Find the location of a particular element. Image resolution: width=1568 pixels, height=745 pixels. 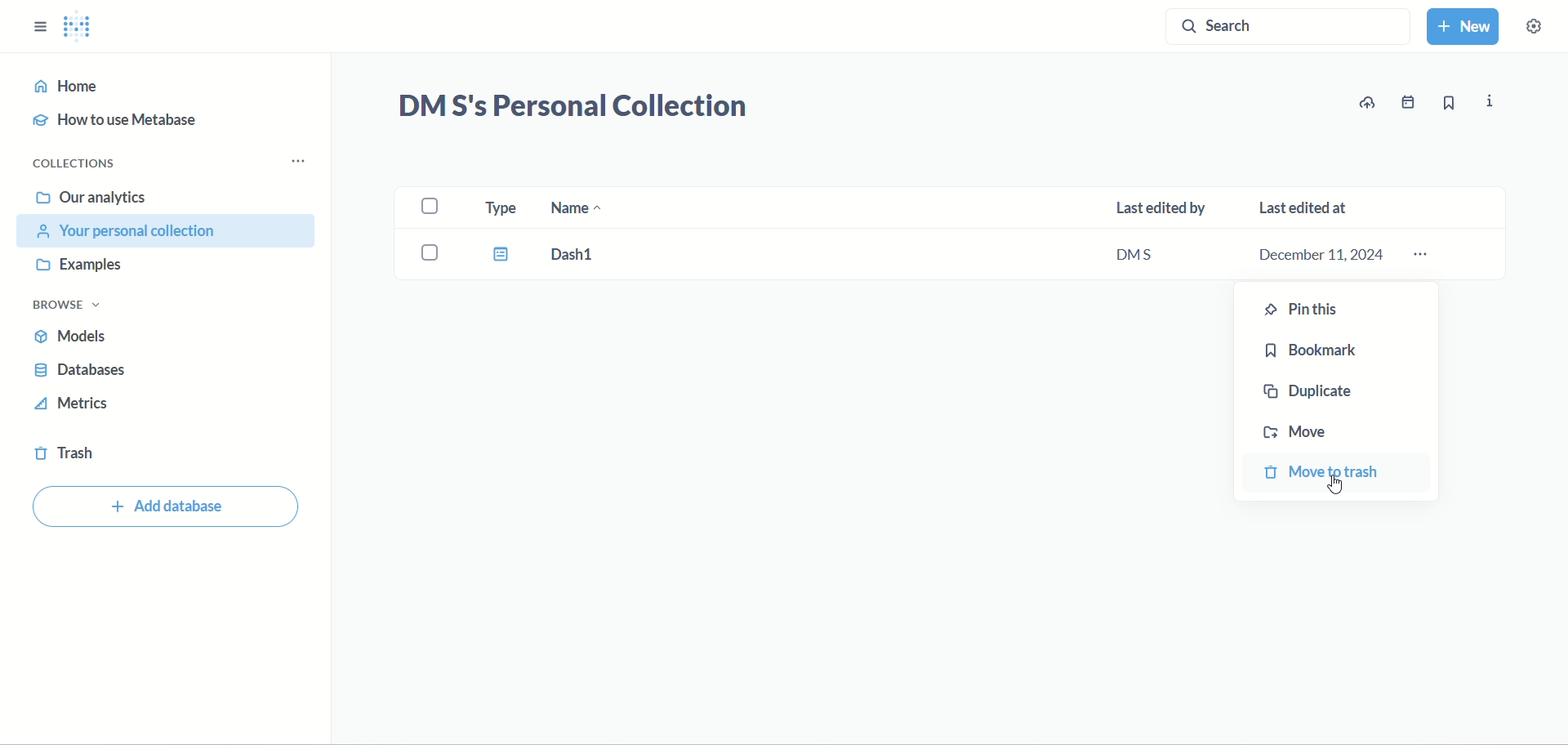

move to trash is located at coordinates (1334, 475).